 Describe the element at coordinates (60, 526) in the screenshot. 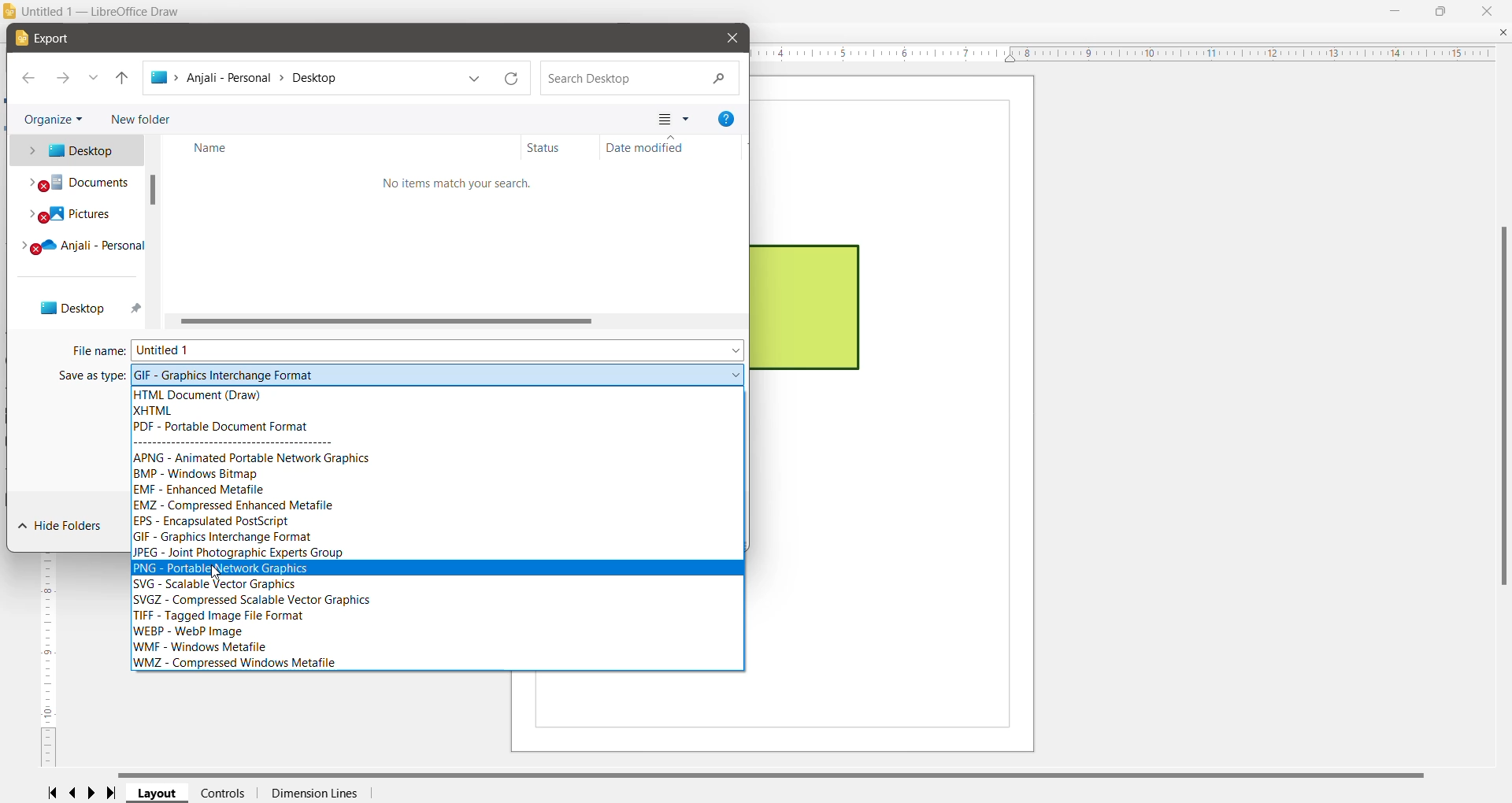

I see `Hide Folders` at that location.